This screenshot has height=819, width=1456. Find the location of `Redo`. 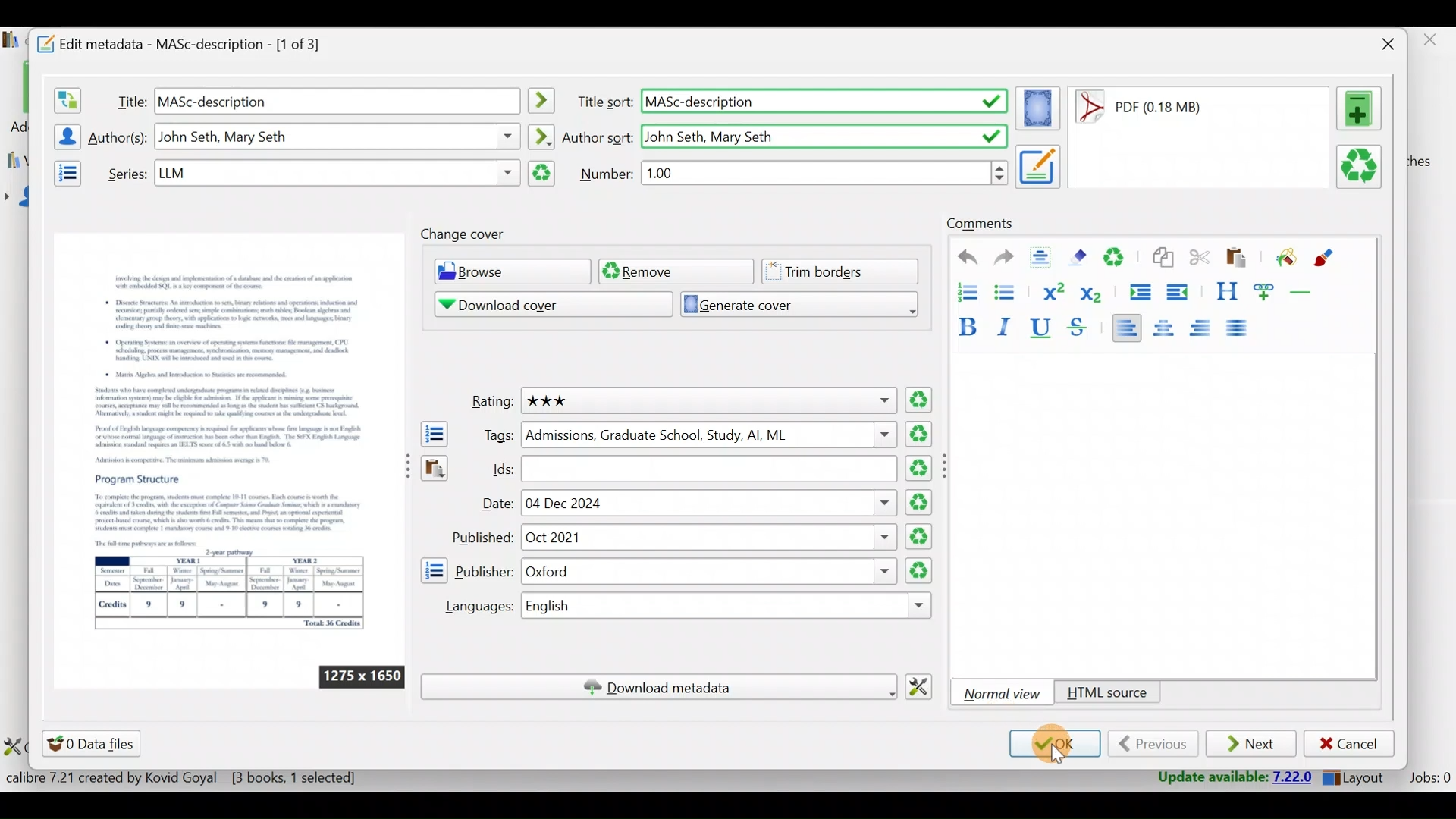

Redo is located at coordinates (1004, 259).